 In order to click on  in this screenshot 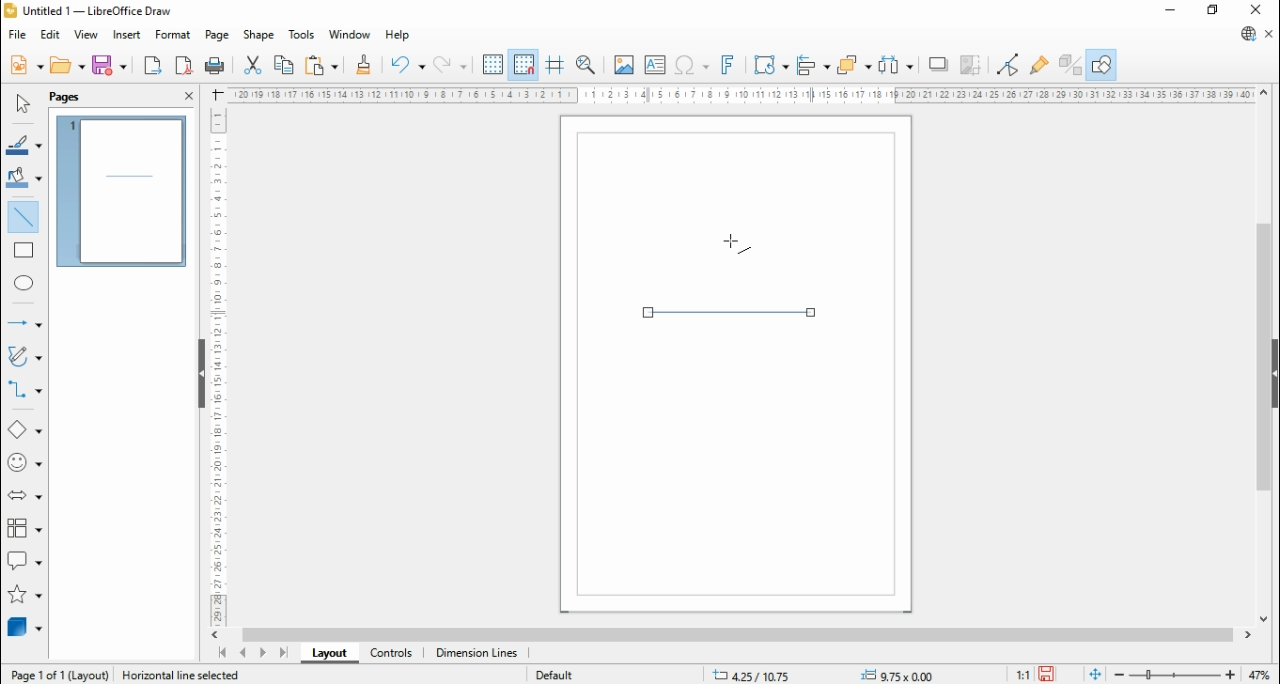, I will do `click(179, 673)`.